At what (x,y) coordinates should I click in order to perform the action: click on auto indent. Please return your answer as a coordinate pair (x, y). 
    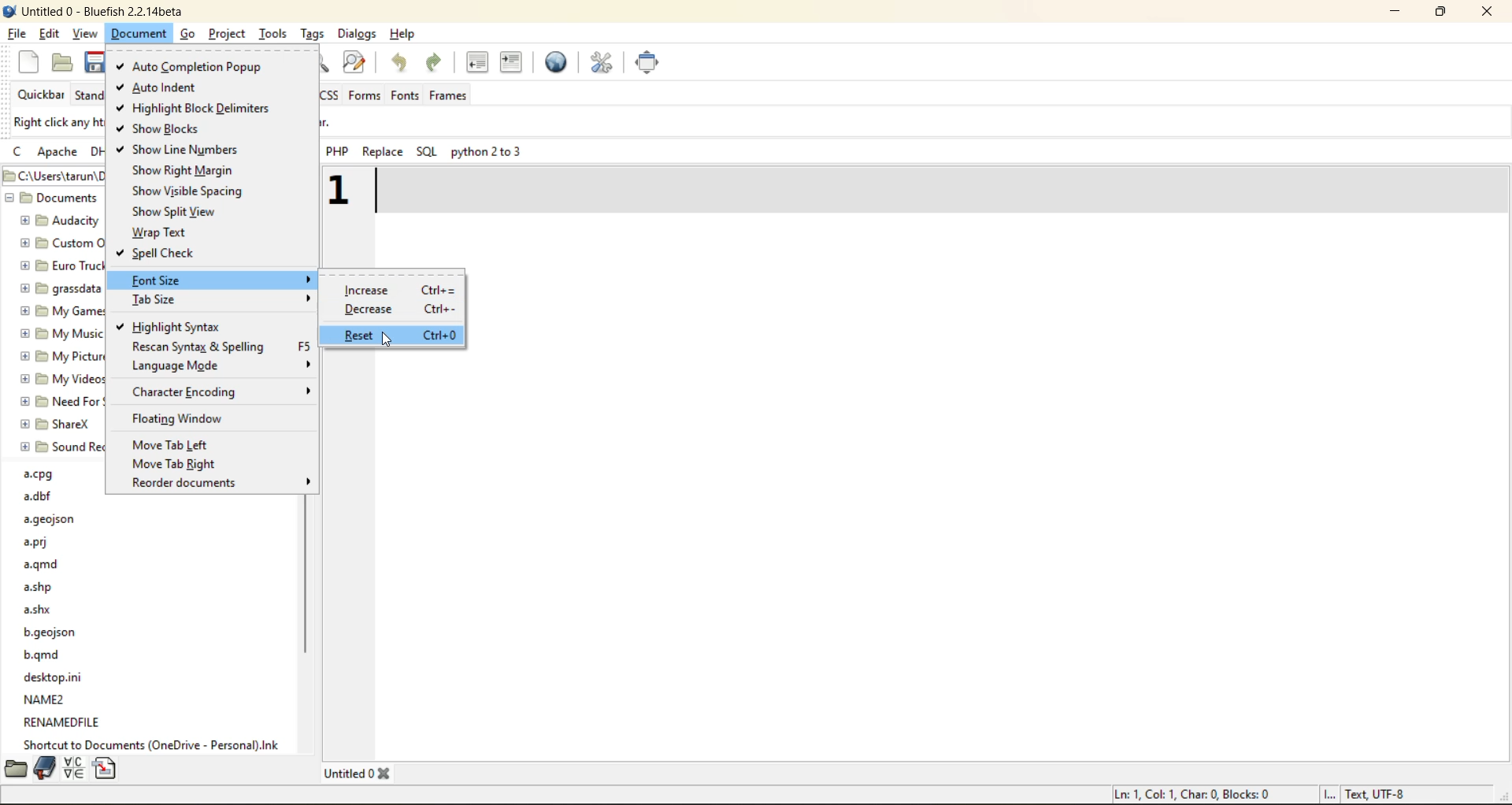
    Looking at the image, I should click on (161, 88).